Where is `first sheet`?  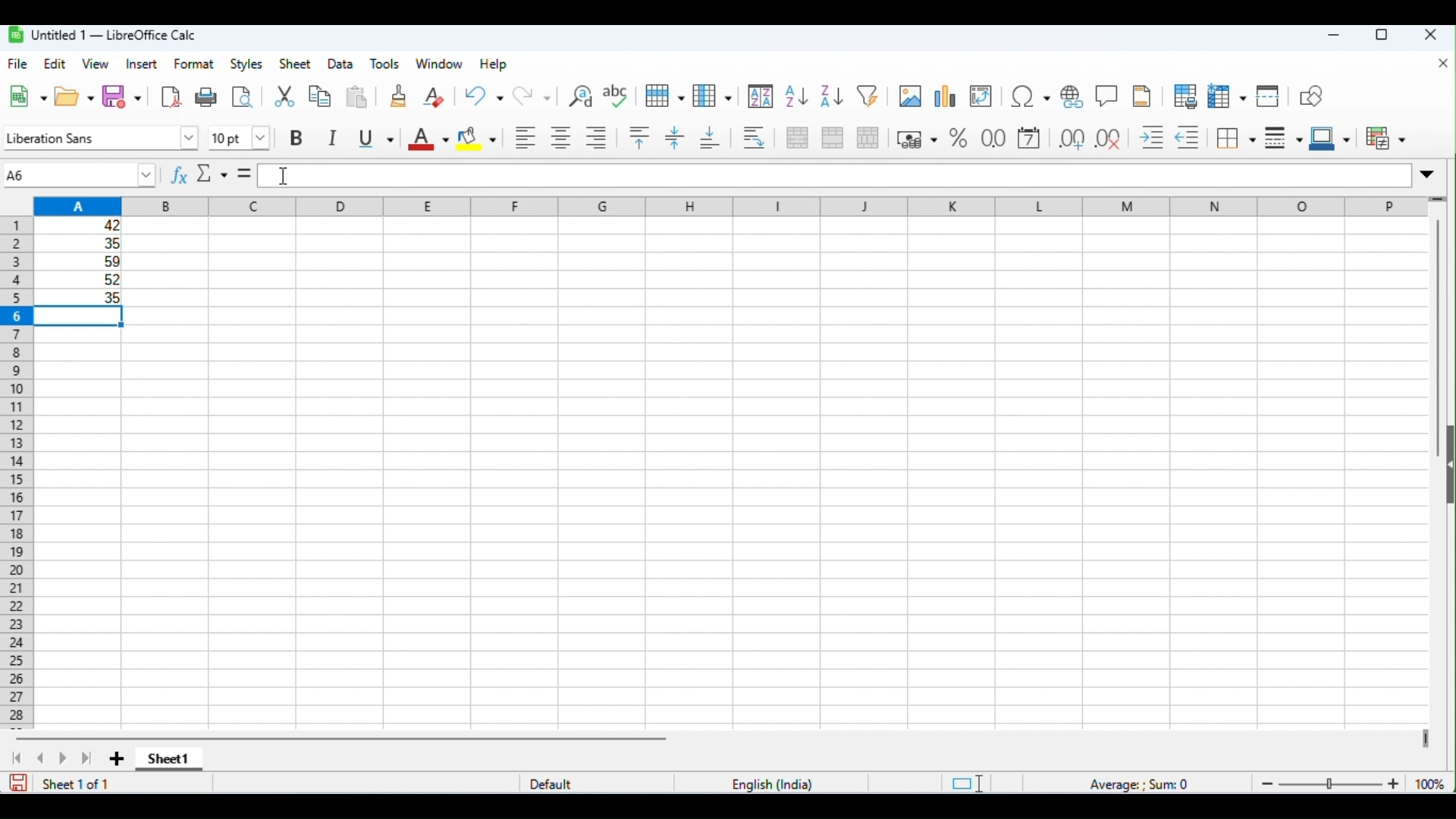
first sheet is located at coordinates (22, 758).